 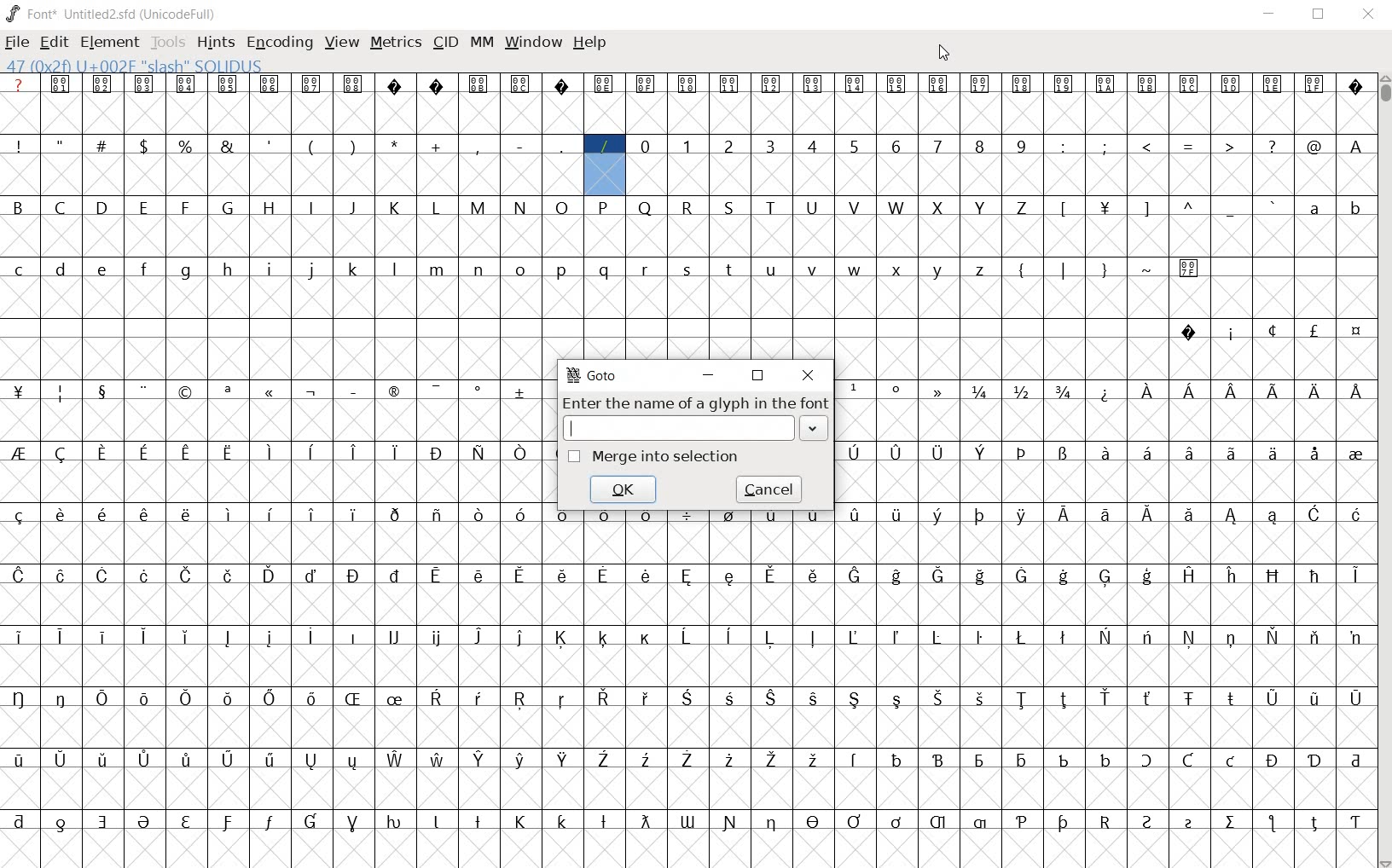 I want to click on glyph, so click(x=855, y=760).